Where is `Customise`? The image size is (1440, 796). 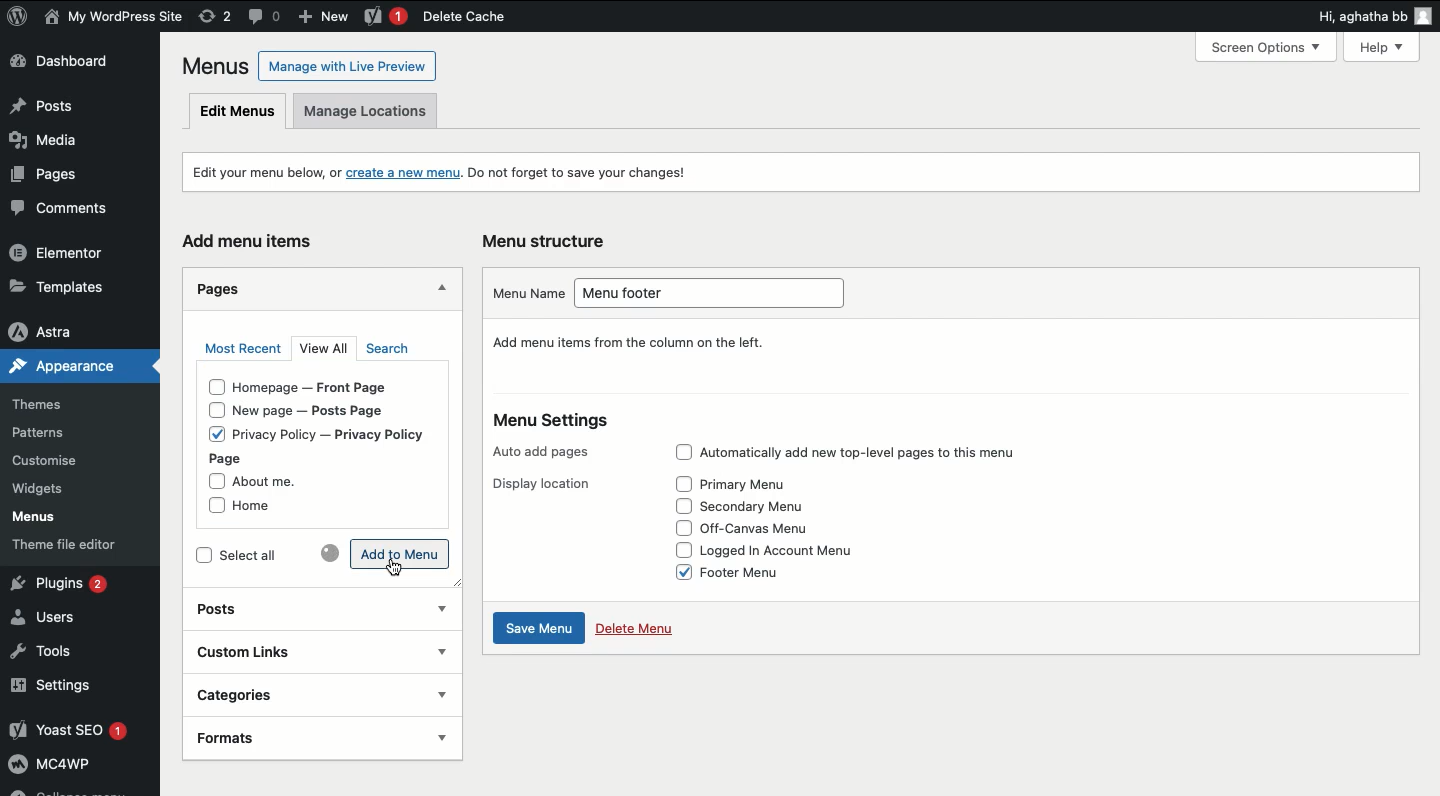
Customise is located at coordinates (43, 462).